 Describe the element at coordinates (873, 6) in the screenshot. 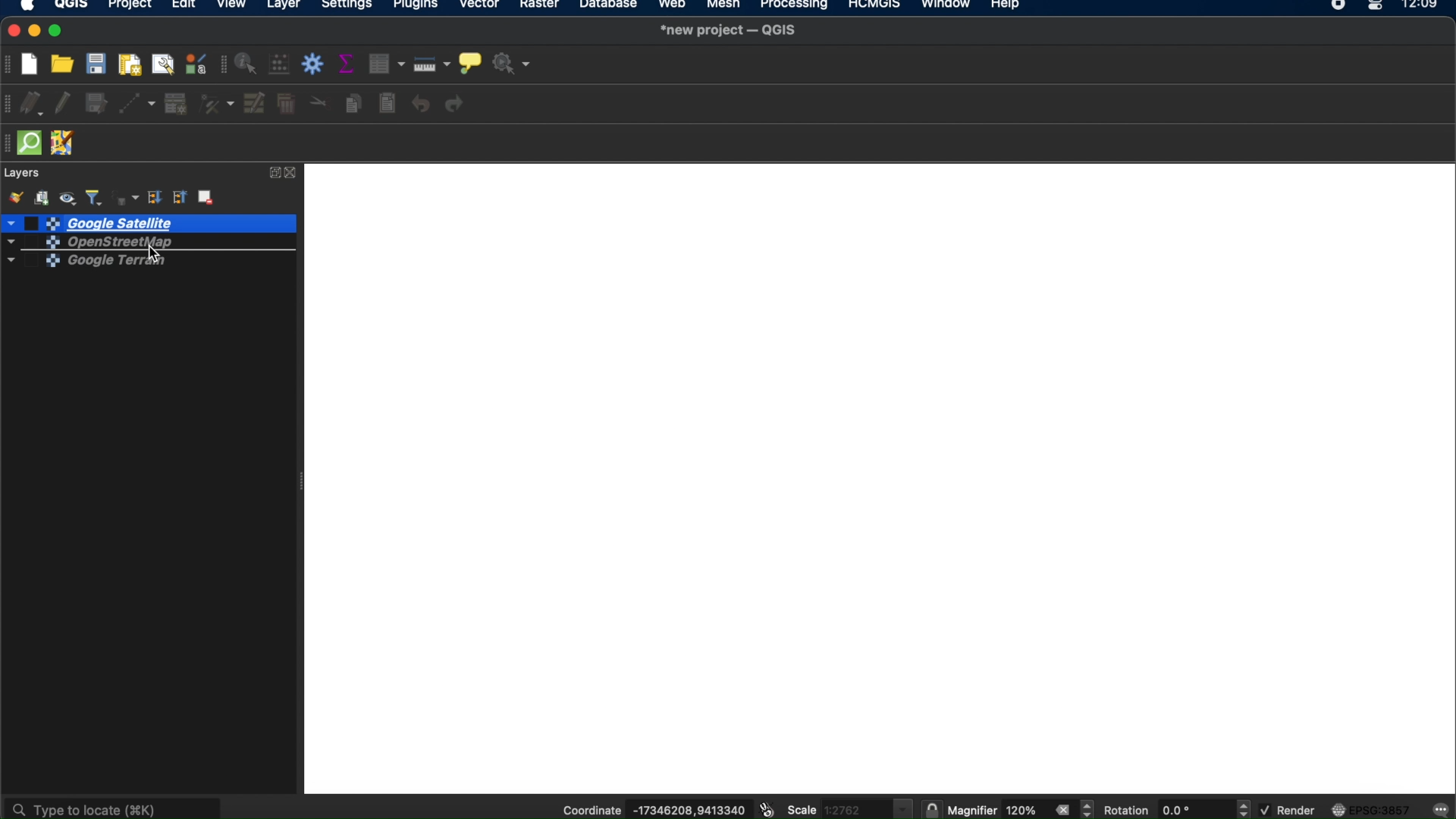

I see `HCMGIS` at that location.